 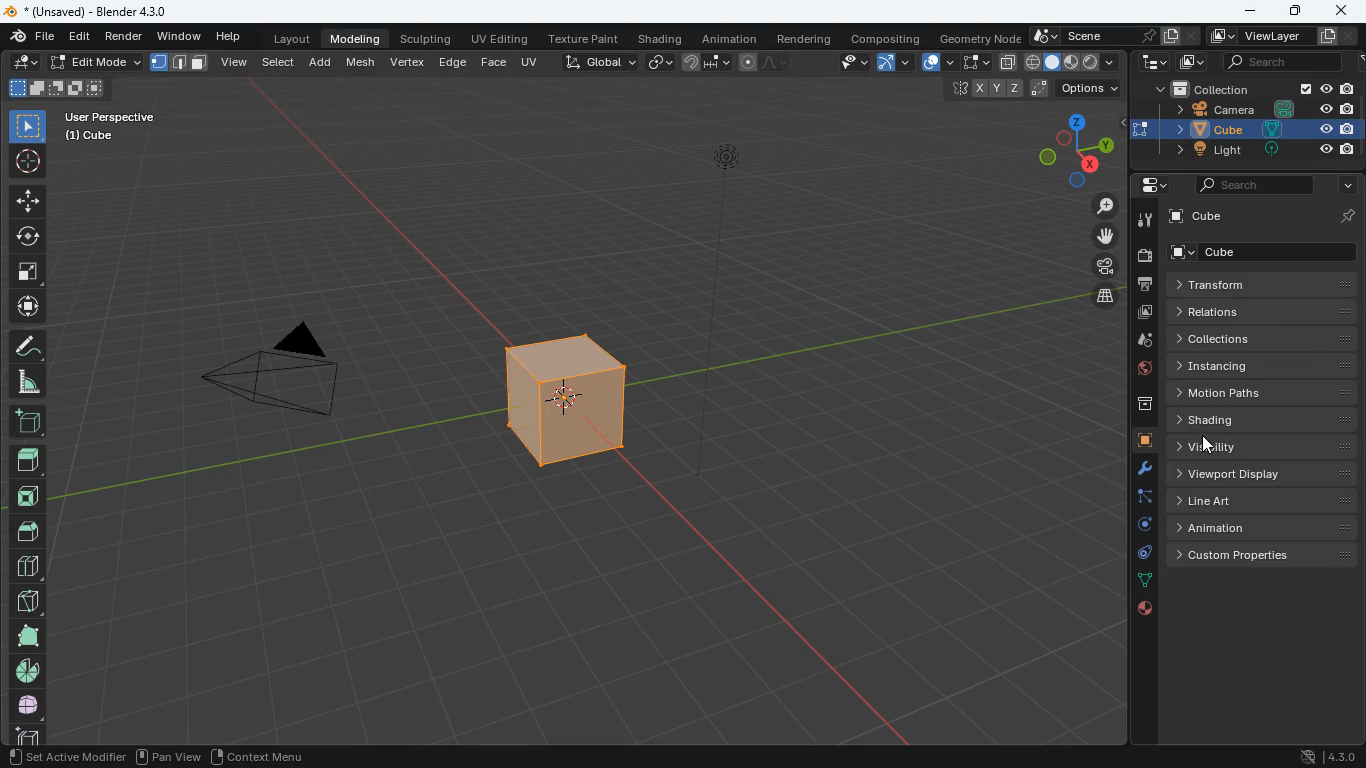 I want to click on rendering, so click(x=806, y=39).